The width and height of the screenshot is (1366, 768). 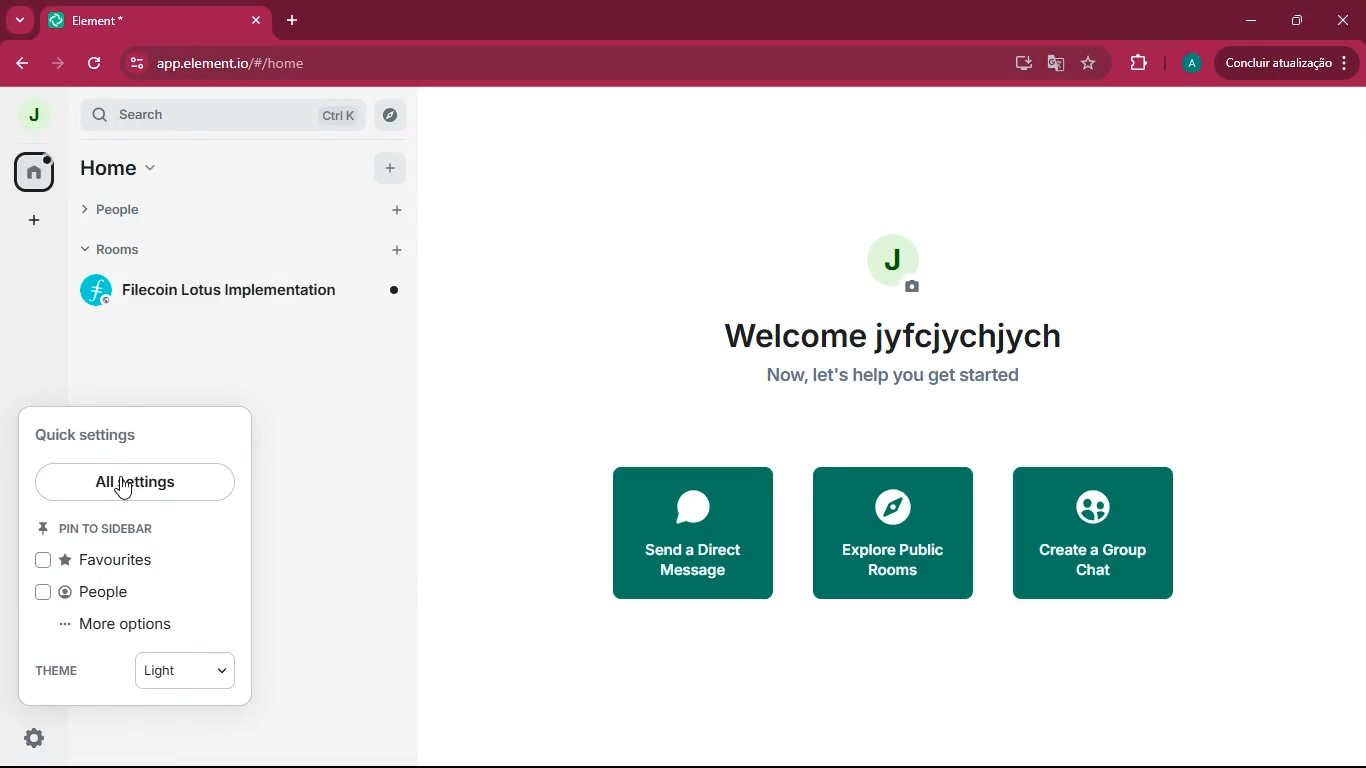 I want to click on forward, so click(x=58, y=65).